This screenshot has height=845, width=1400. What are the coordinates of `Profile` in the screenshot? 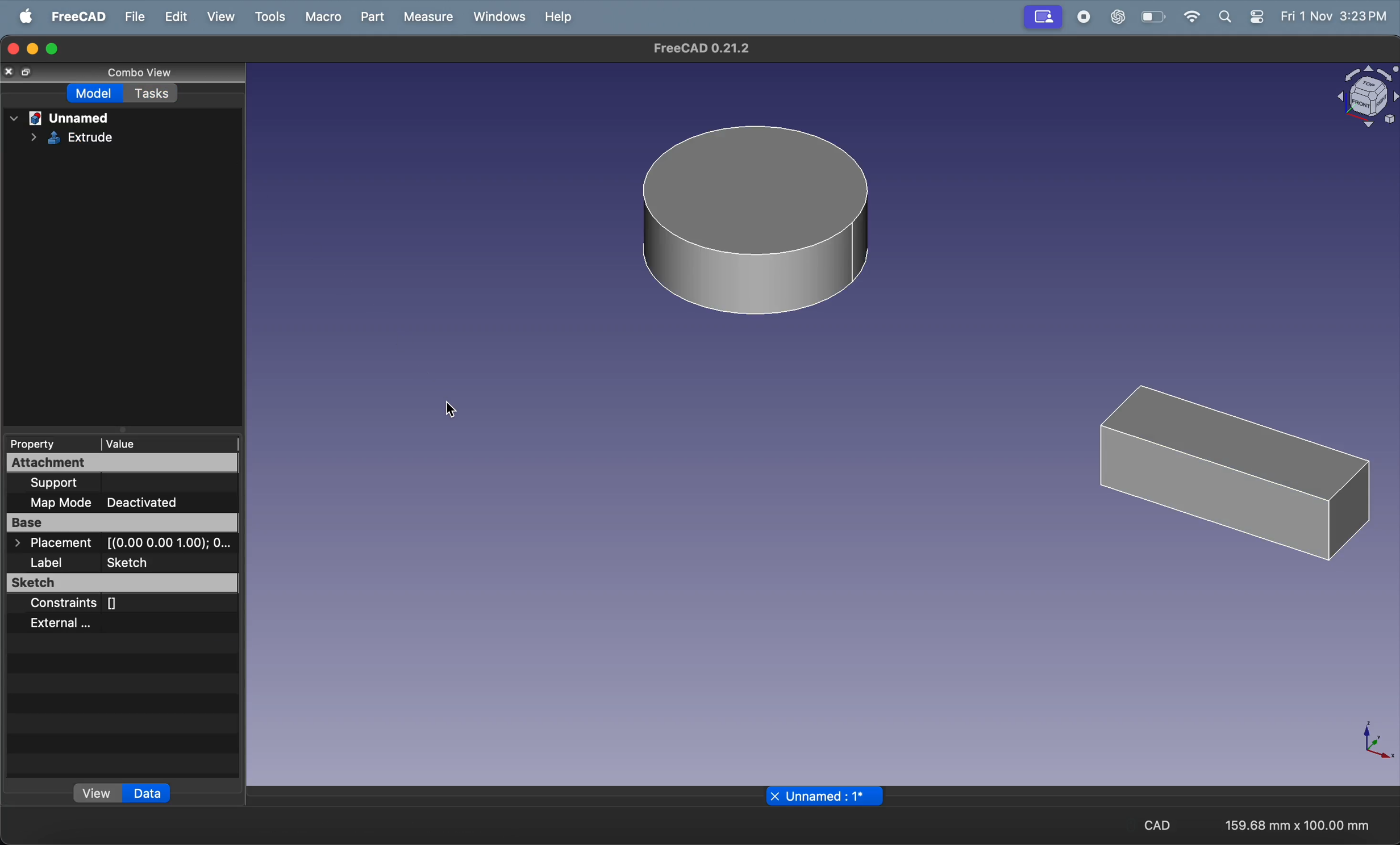 It's located at (1041, 16).